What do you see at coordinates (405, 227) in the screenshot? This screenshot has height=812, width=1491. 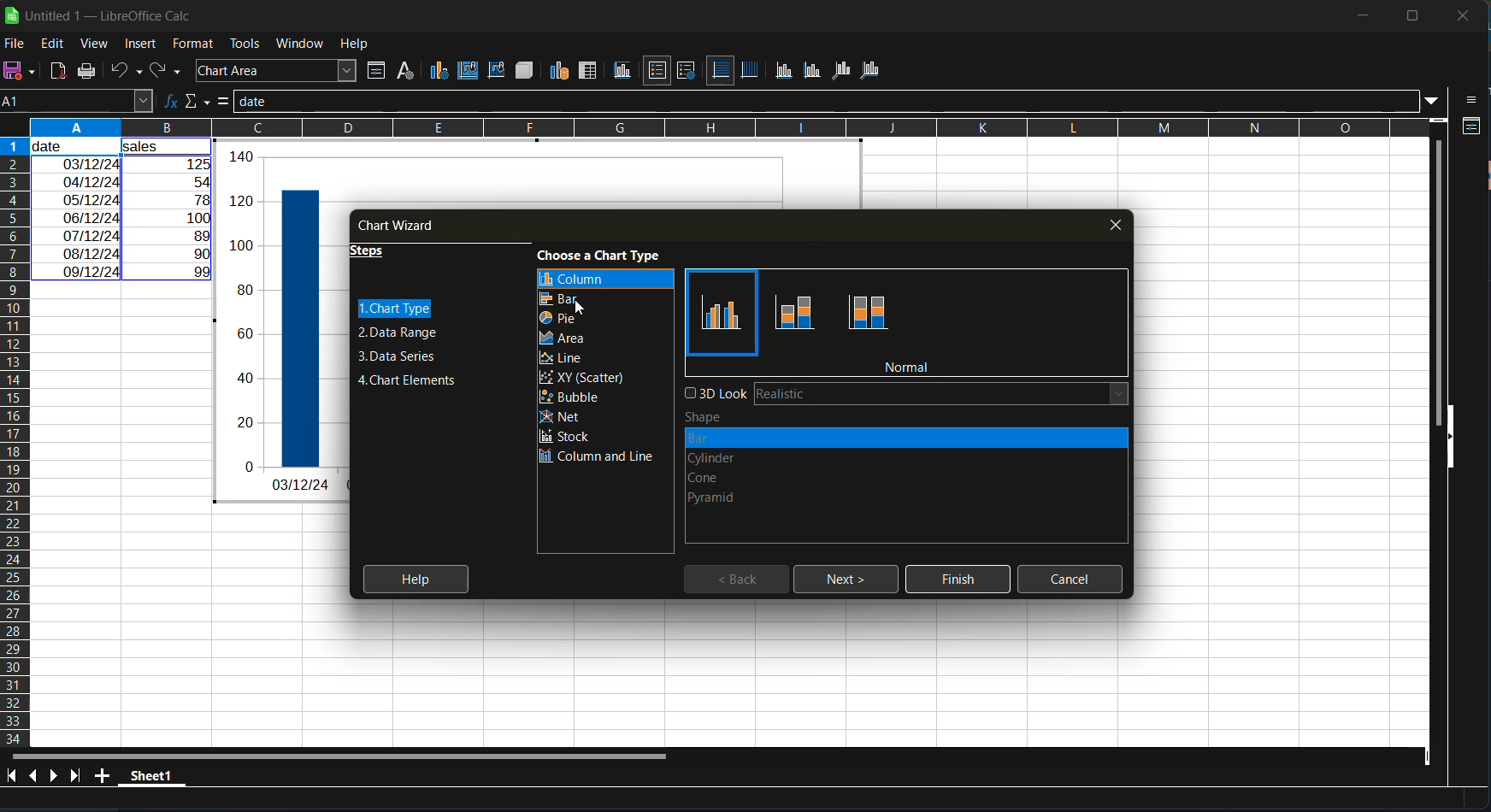 I see `chart wizard` at bounding box center [405, 227].